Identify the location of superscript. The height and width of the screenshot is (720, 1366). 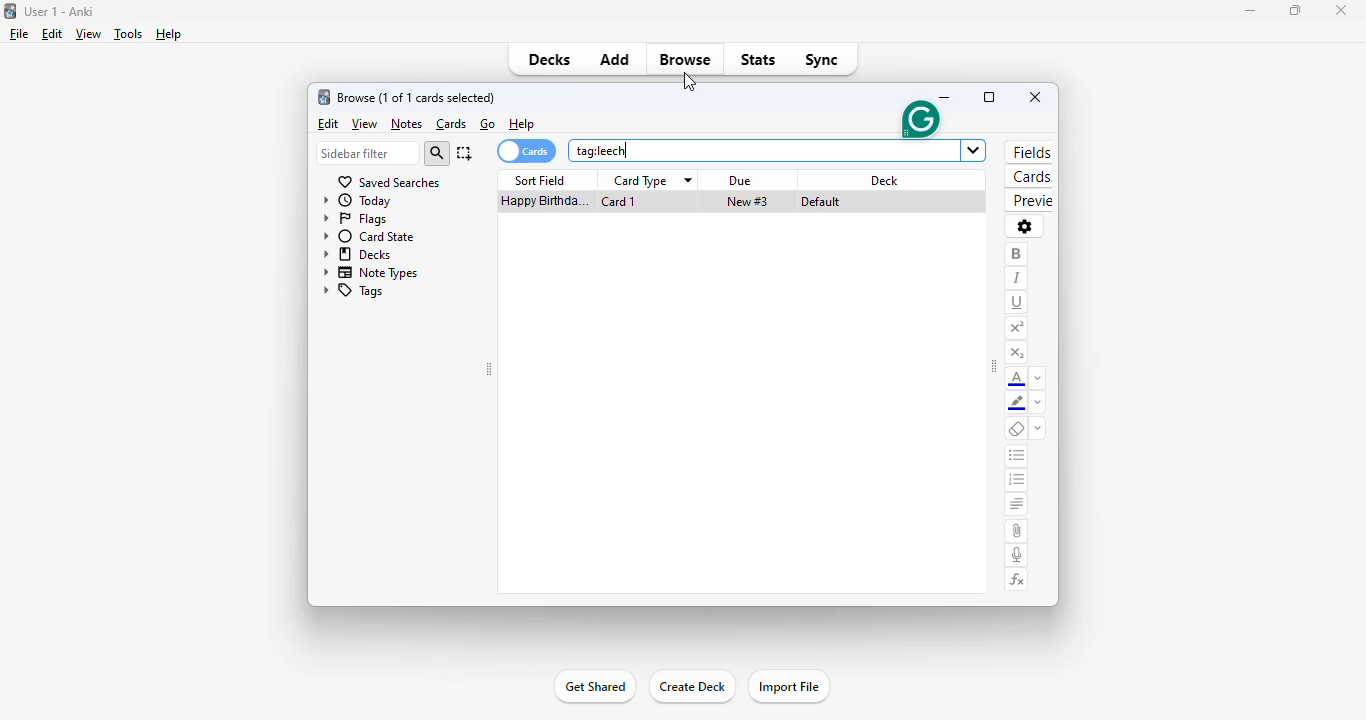
(1016, 329).